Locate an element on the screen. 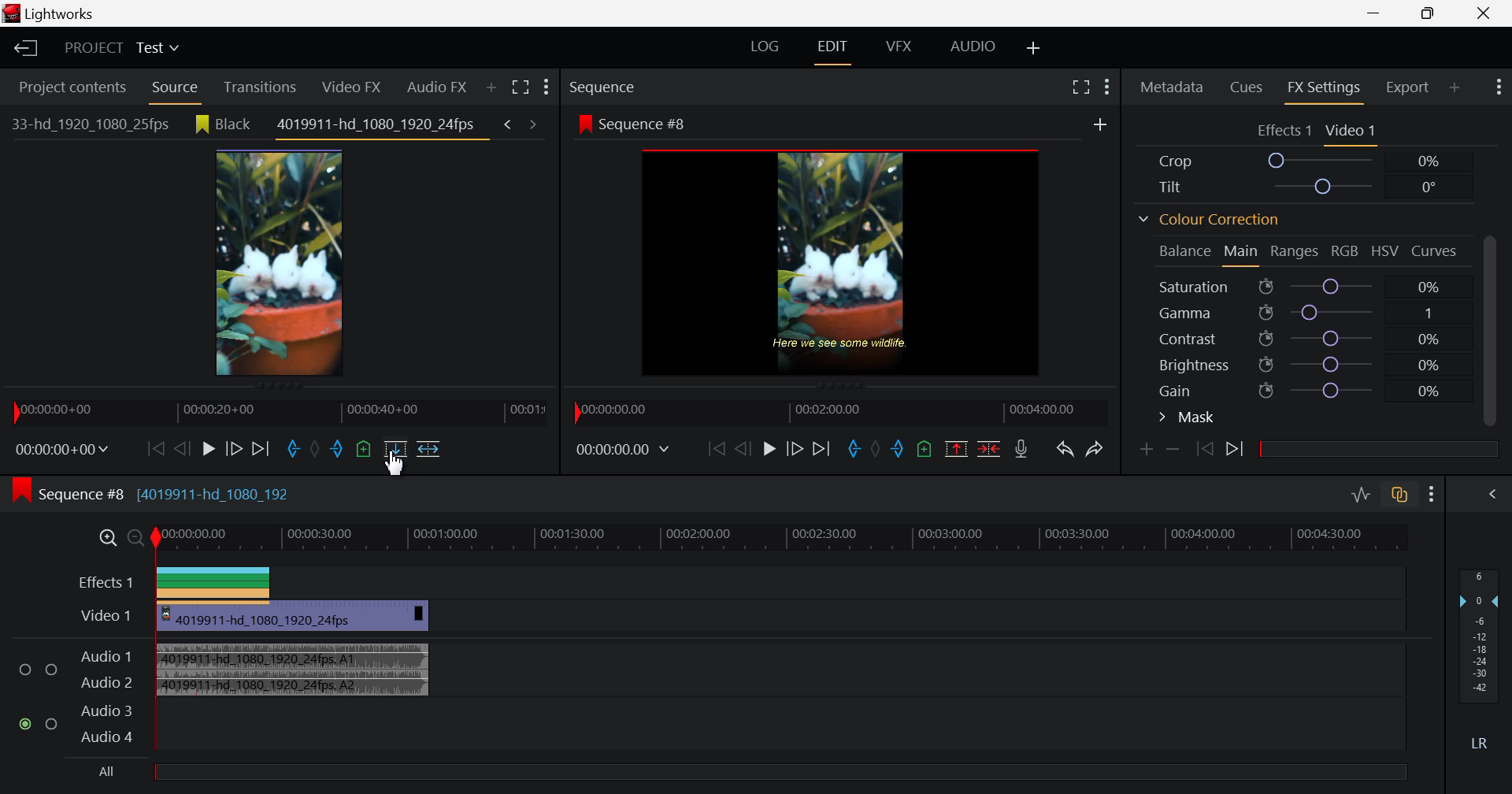  Back to Homepage is located at coordinates (23, 46).